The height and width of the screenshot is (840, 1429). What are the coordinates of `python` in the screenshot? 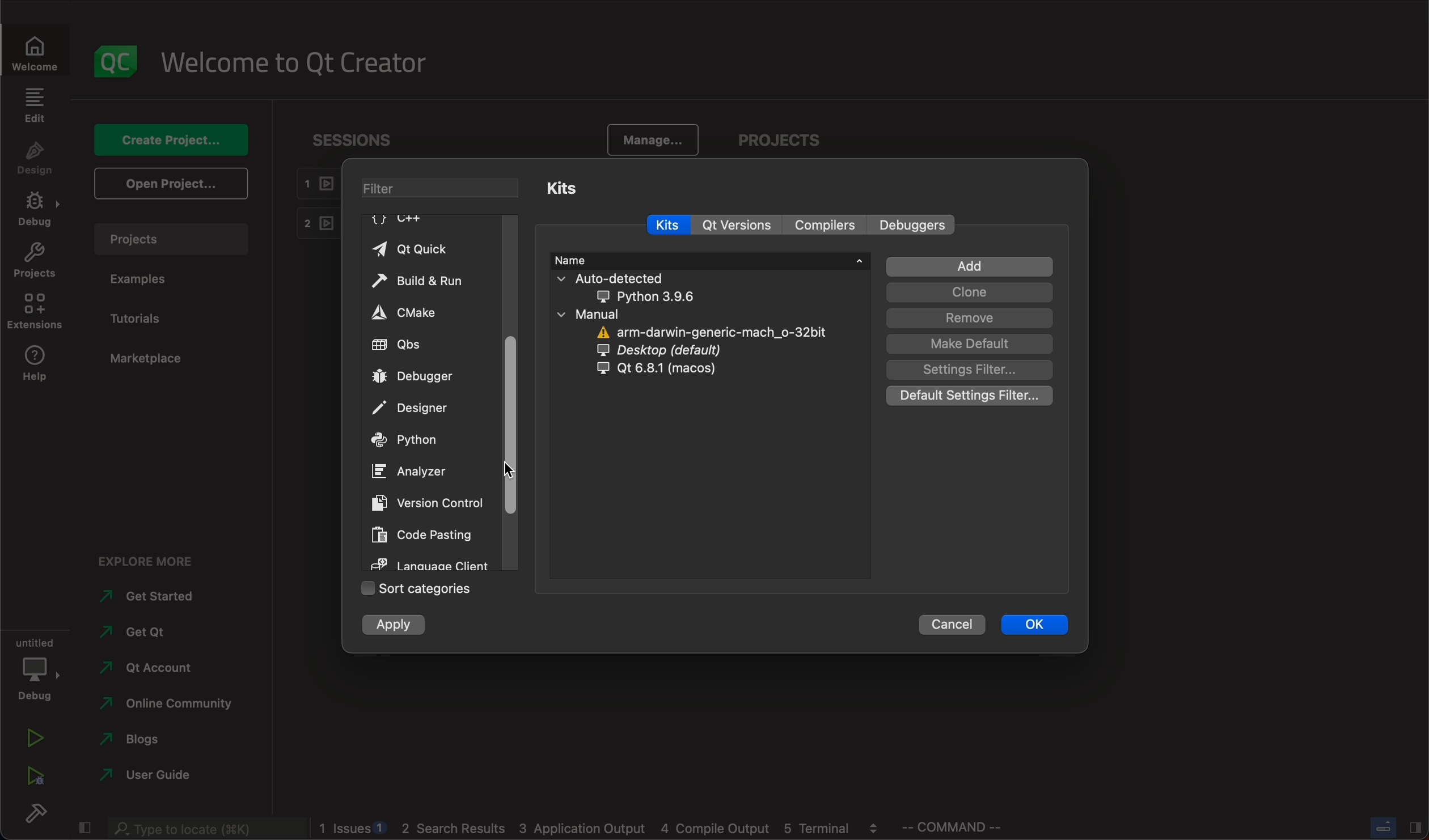 It's located at (411, 438).